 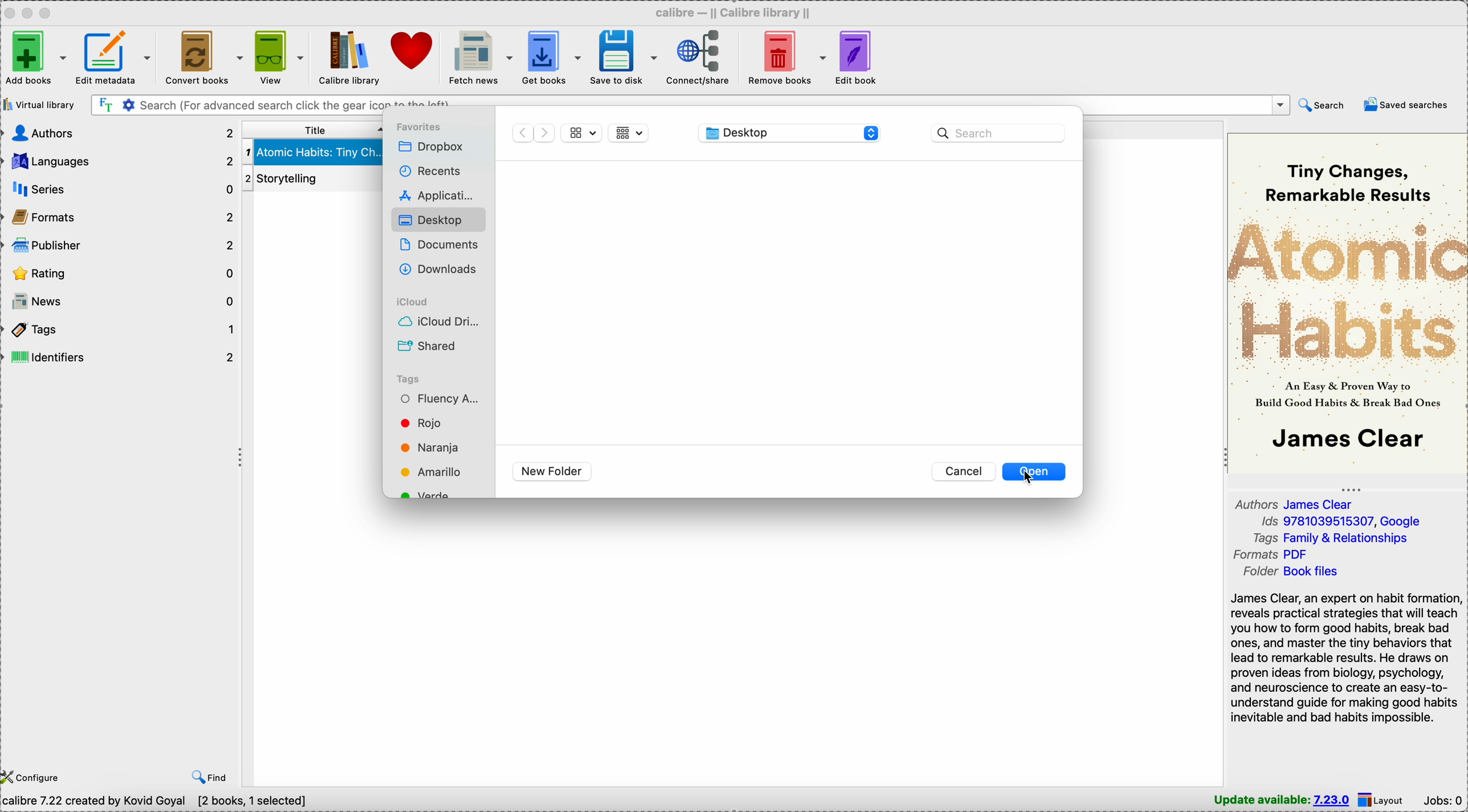 I want to click on Dropbox, so click(x=434, y=147).